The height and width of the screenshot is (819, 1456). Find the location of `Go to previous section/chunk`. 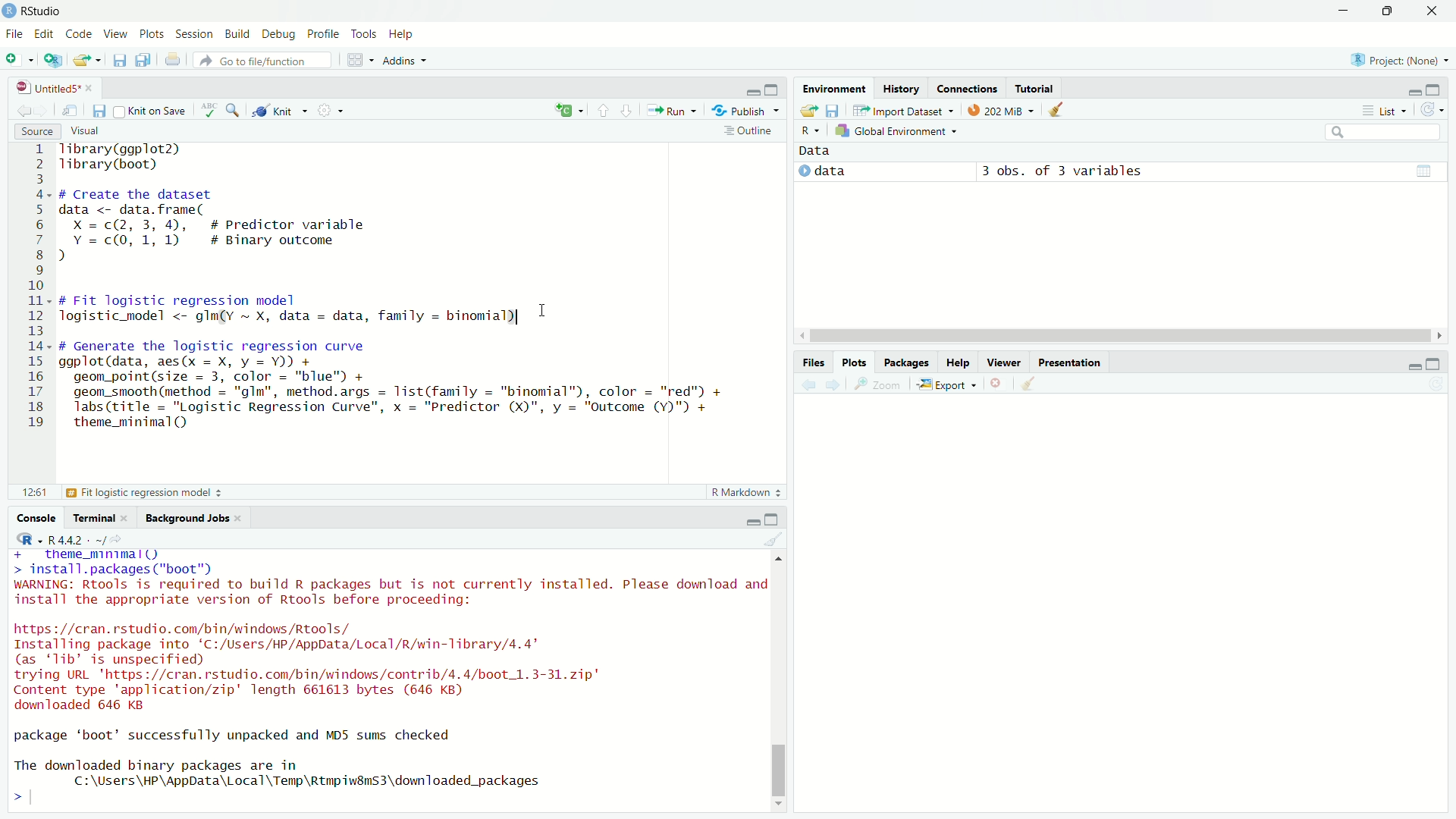

Go to previous section/chunk is located at coordinates (602, 110).